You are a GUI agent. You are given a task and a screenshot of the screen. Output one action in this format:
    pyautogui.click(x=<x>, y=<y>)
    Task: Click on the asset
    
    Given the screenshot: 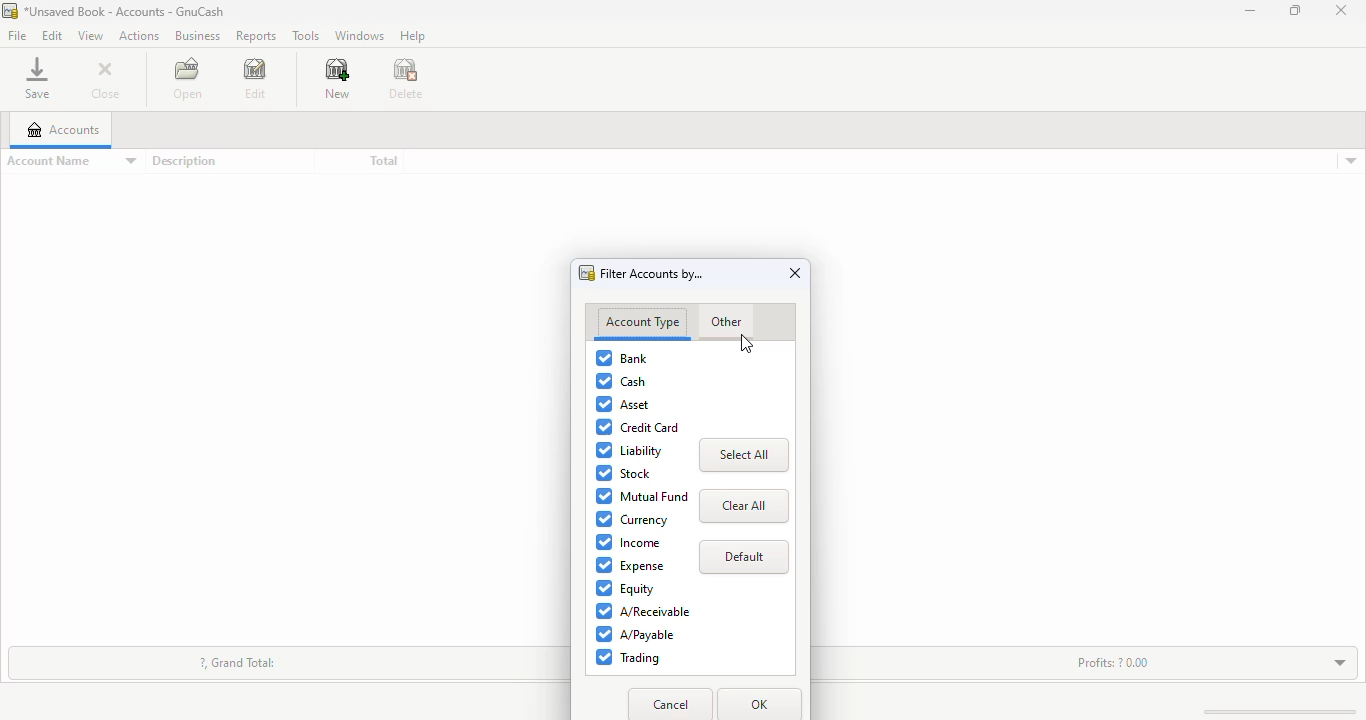 What is the action you would take?
    pyautogui.click(x=624, y=404)
    